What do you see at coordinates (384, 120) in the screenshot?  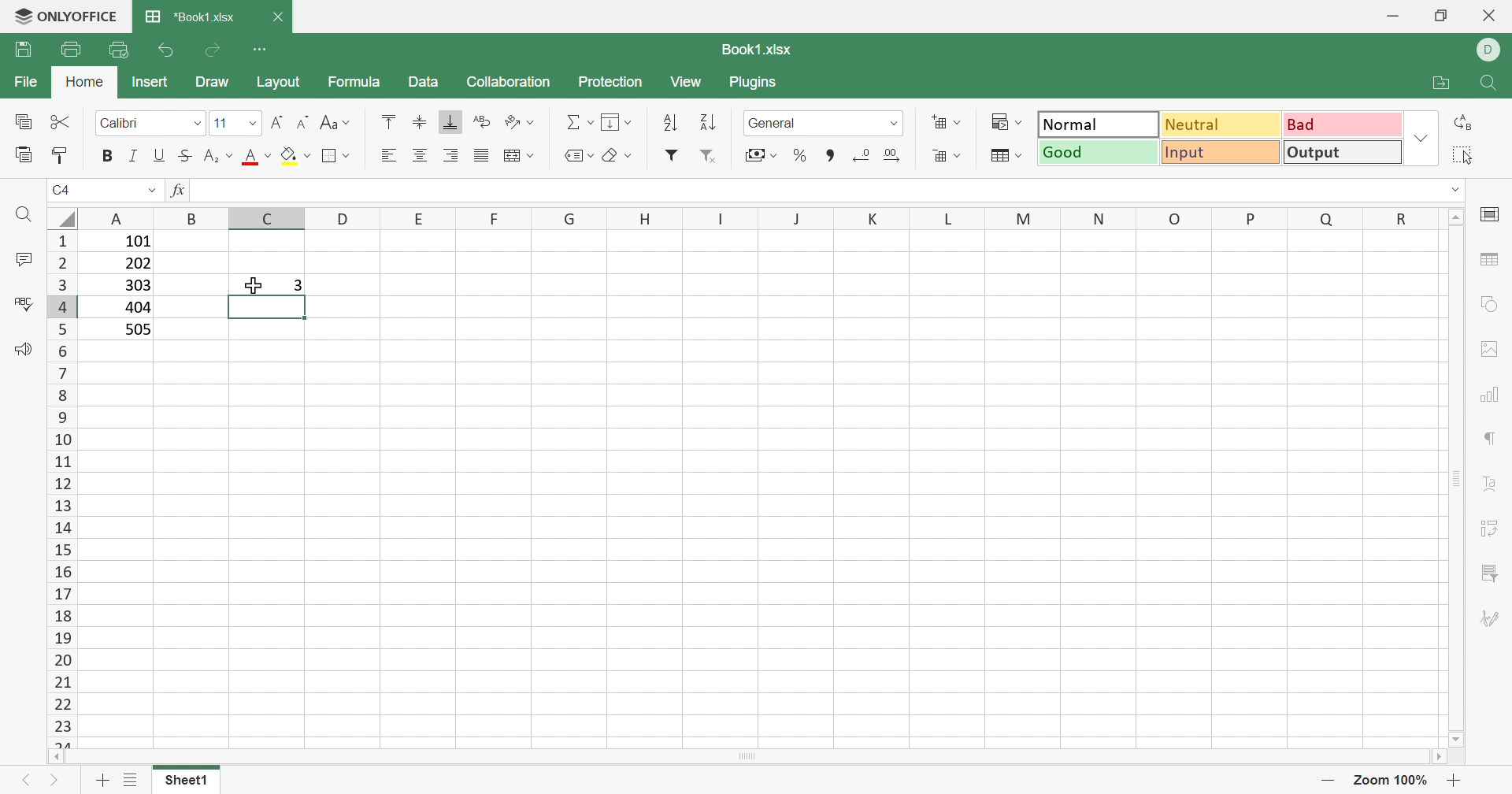 I see `Align Top` at bounding box center [384, 120].